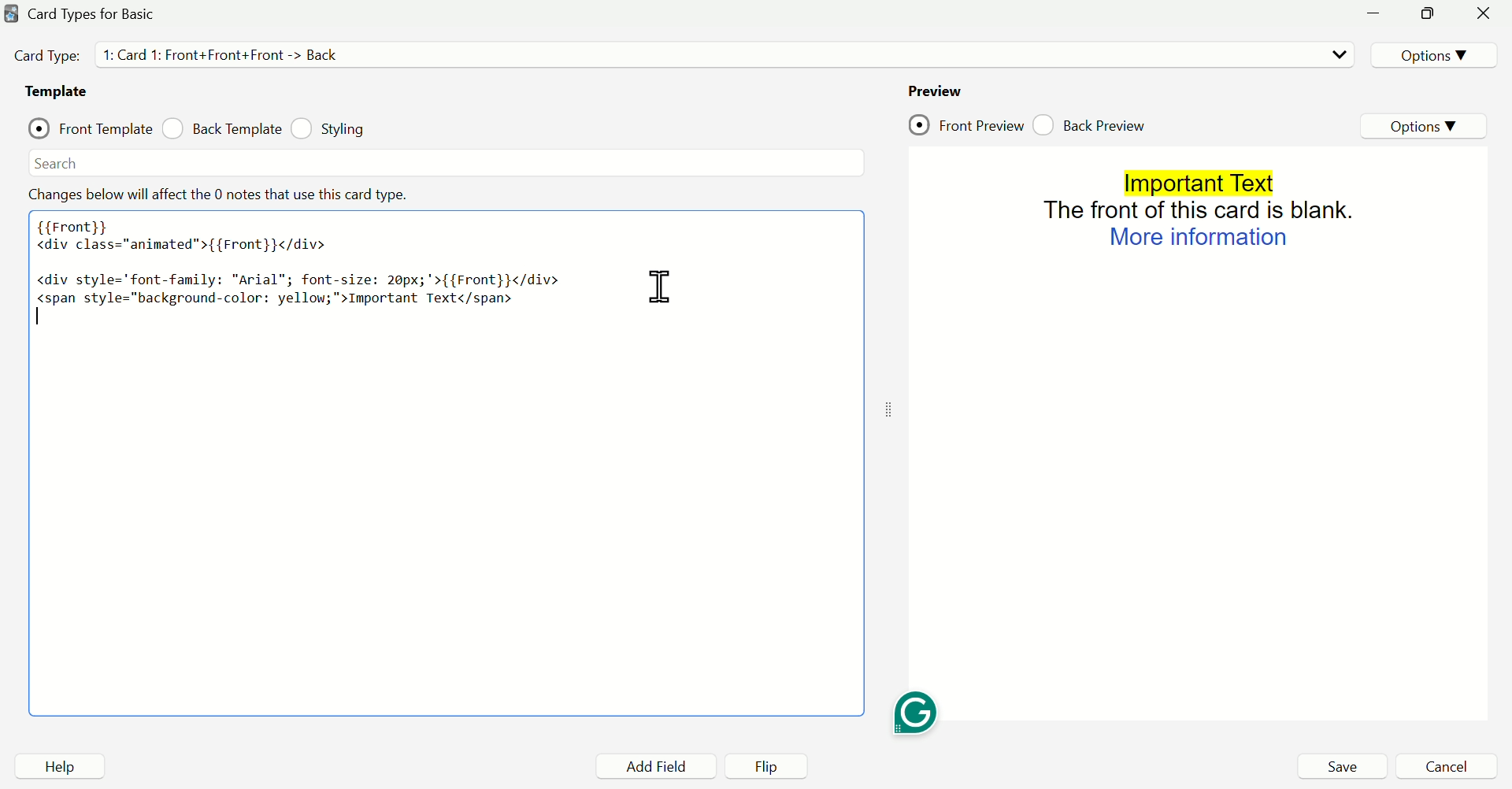 This screenshot has width=1512, height=789. What do you see at coordinates (1432, 54) in the screenshot?
I see `Options` at bounding box center [1432, 54].